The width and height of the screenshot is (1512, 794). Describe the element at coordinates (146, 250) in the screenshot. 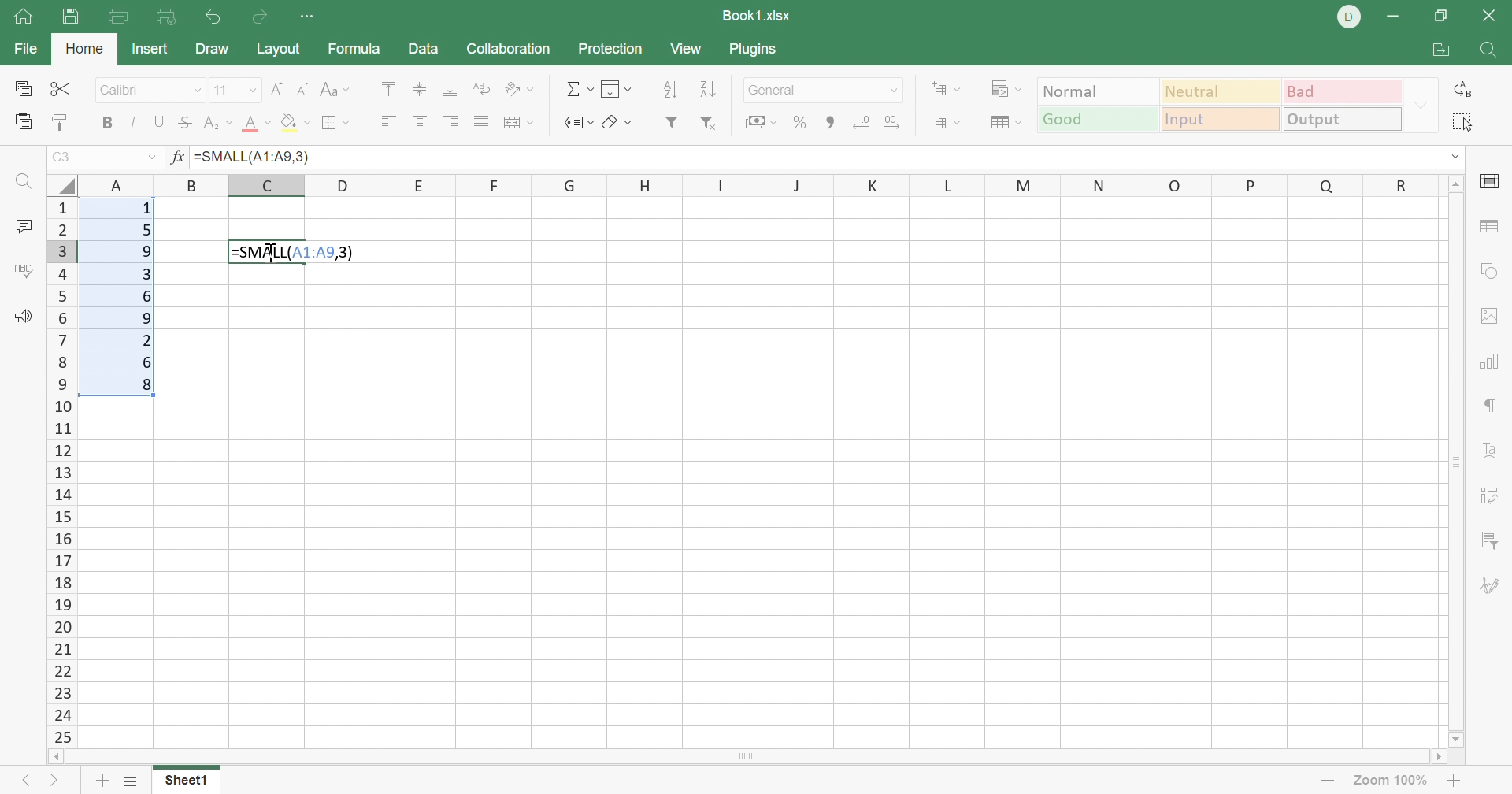

I see `9` at that location.